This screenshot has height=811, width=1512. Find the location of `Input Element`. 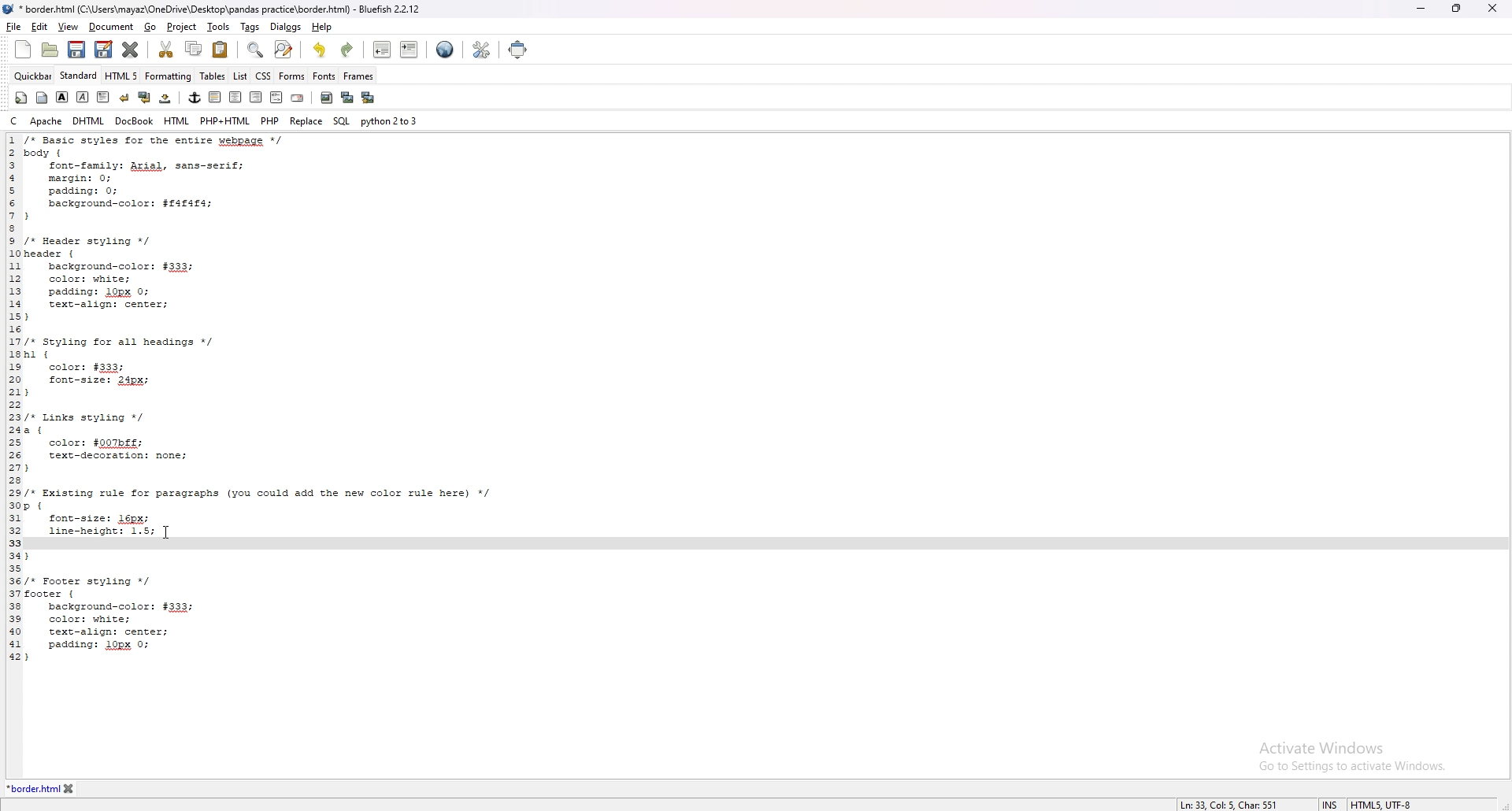

Input Element is located at coordinates (246, 546).